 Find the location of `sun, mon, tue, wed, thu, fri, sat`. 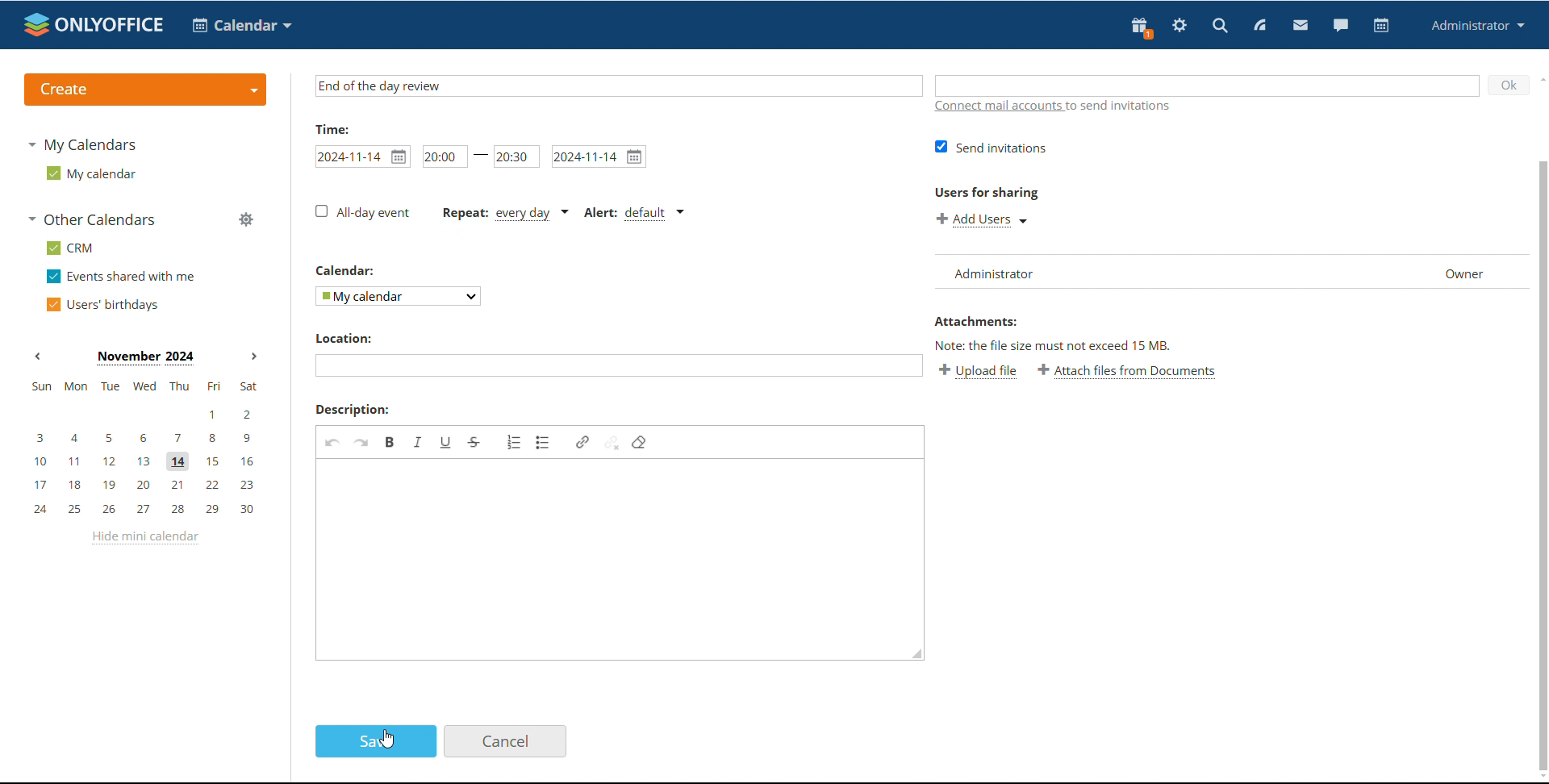

sun, mon, tue, wed, thu, fri, sat is located at coordinates (143, 386).